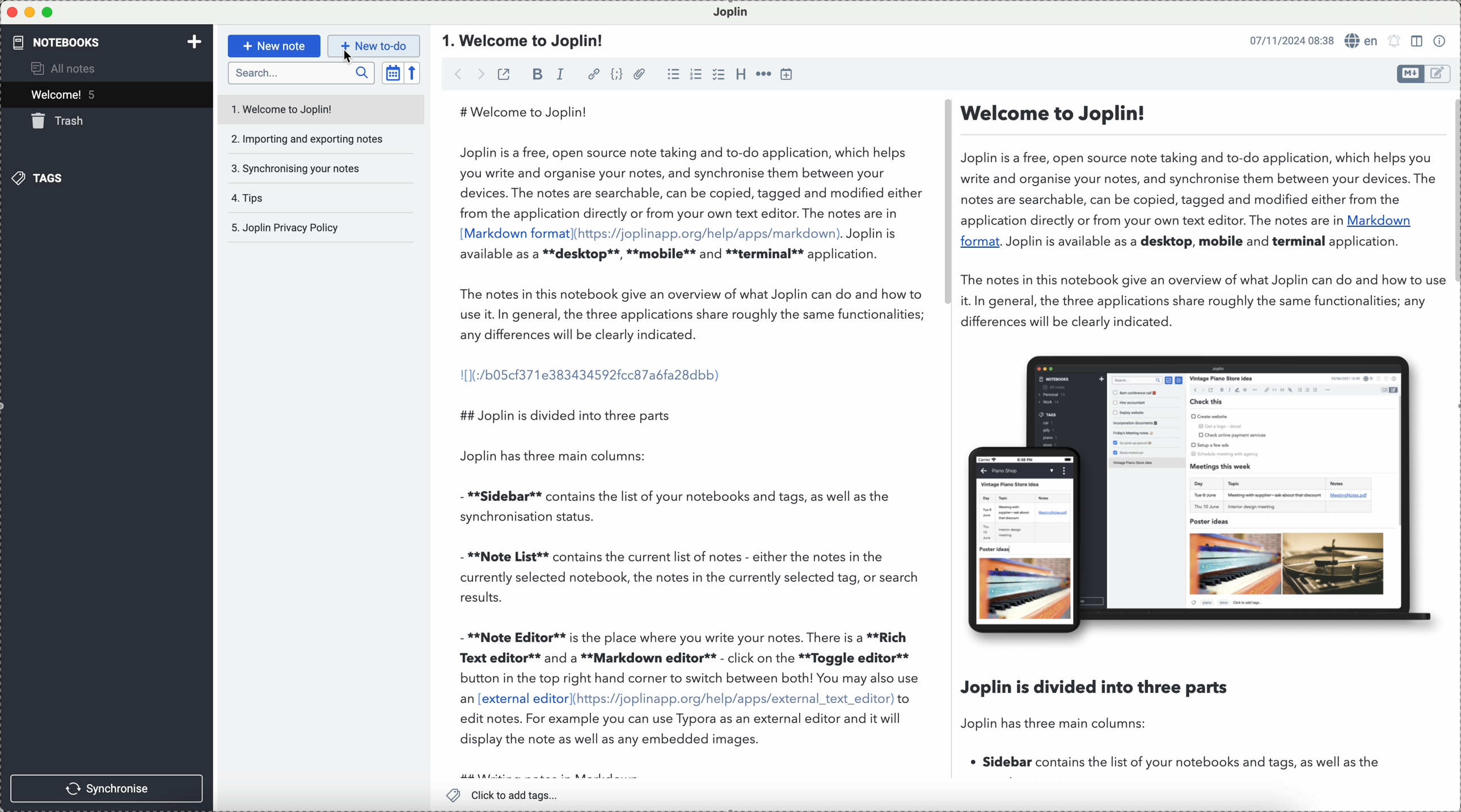 This screenshot has width=1461, height=812. Describe the element at coordinates (302, 73) in the screenshot. I see `search bar` at that location.